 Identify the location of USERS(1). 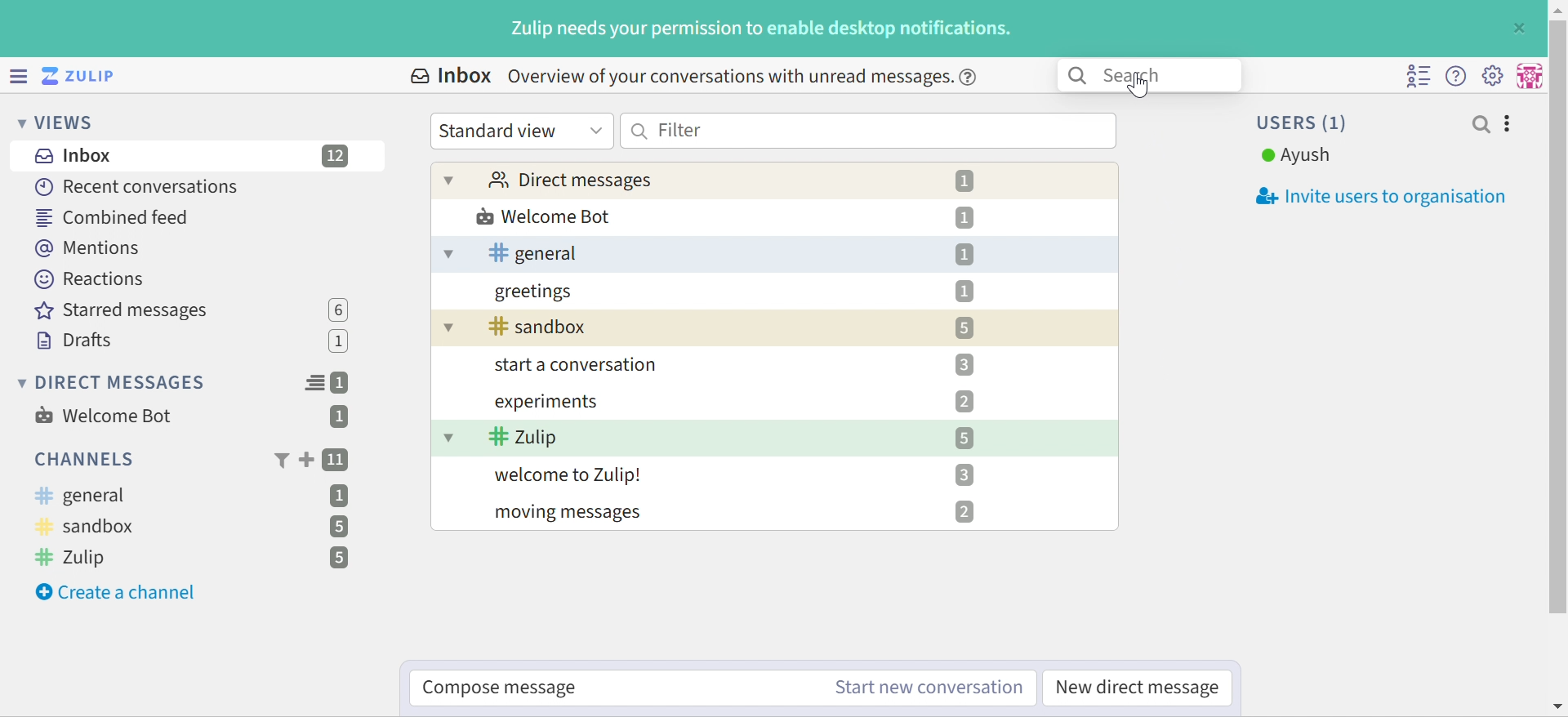
(1304, 122).